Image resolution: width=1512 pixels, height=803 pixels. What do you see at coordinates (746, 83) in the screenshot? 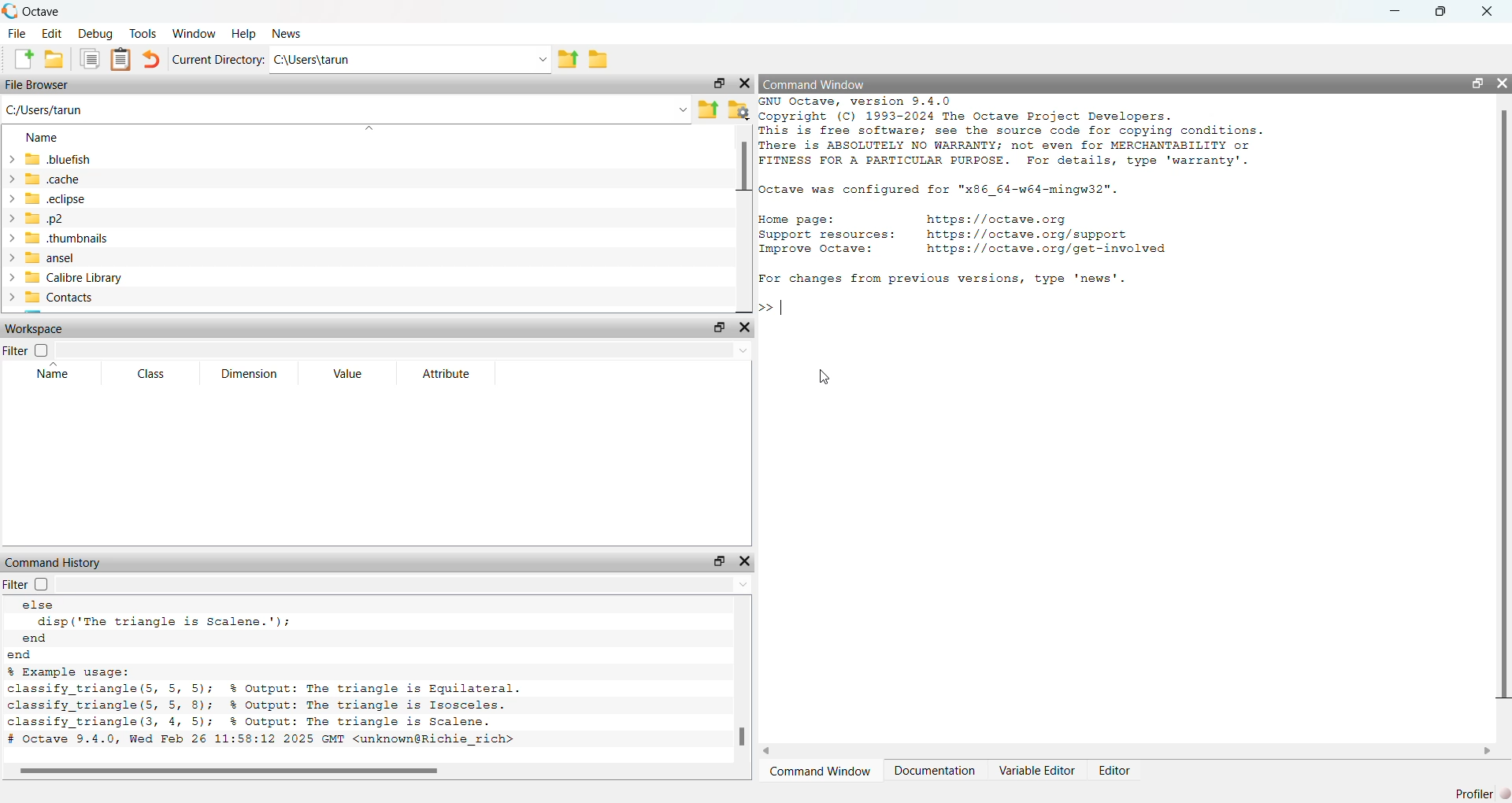
I see `hide widget` at bounding box center [746, 83].